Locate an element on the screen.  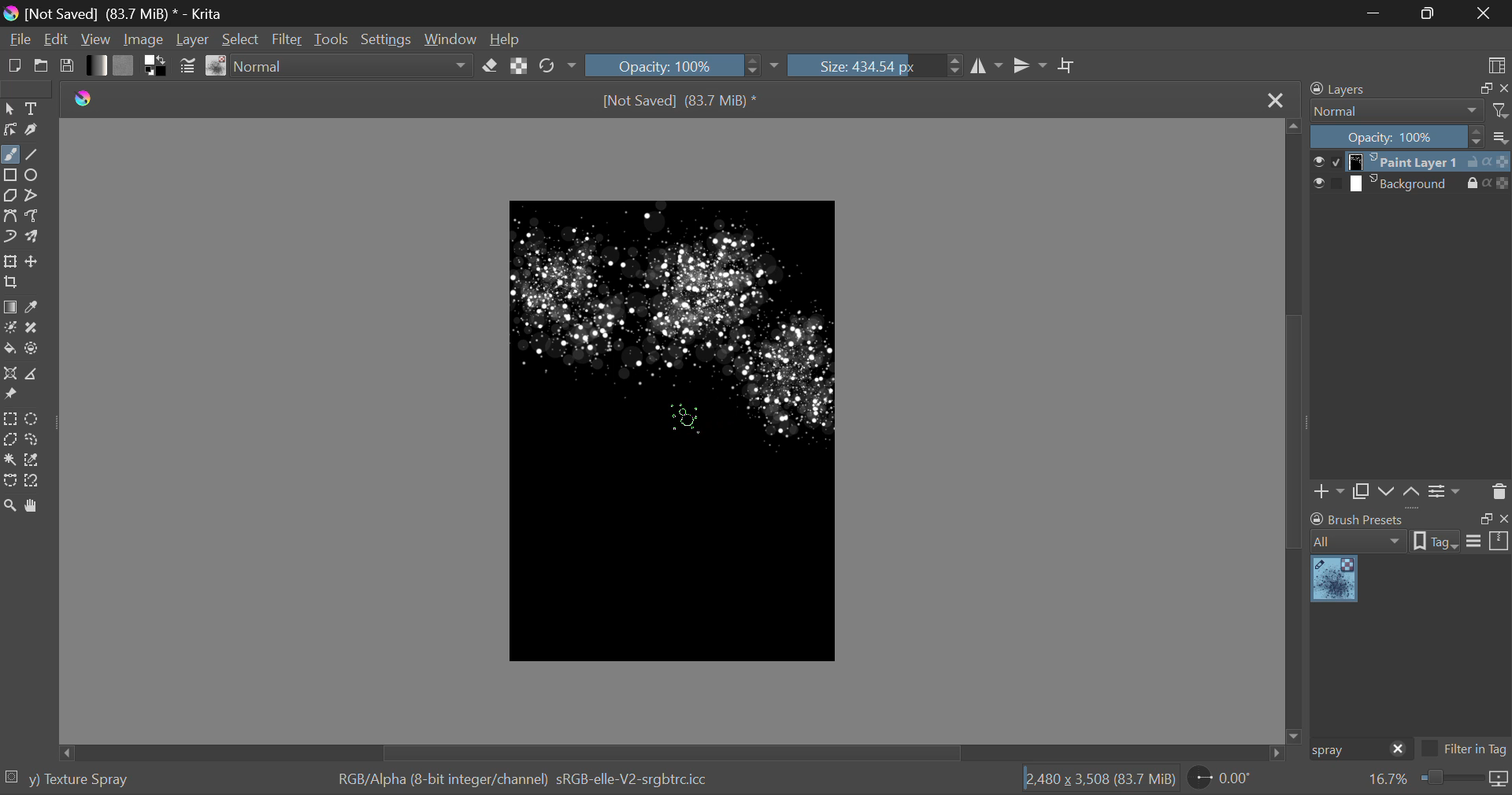
Ellipses is located at coordinates (34, 176).